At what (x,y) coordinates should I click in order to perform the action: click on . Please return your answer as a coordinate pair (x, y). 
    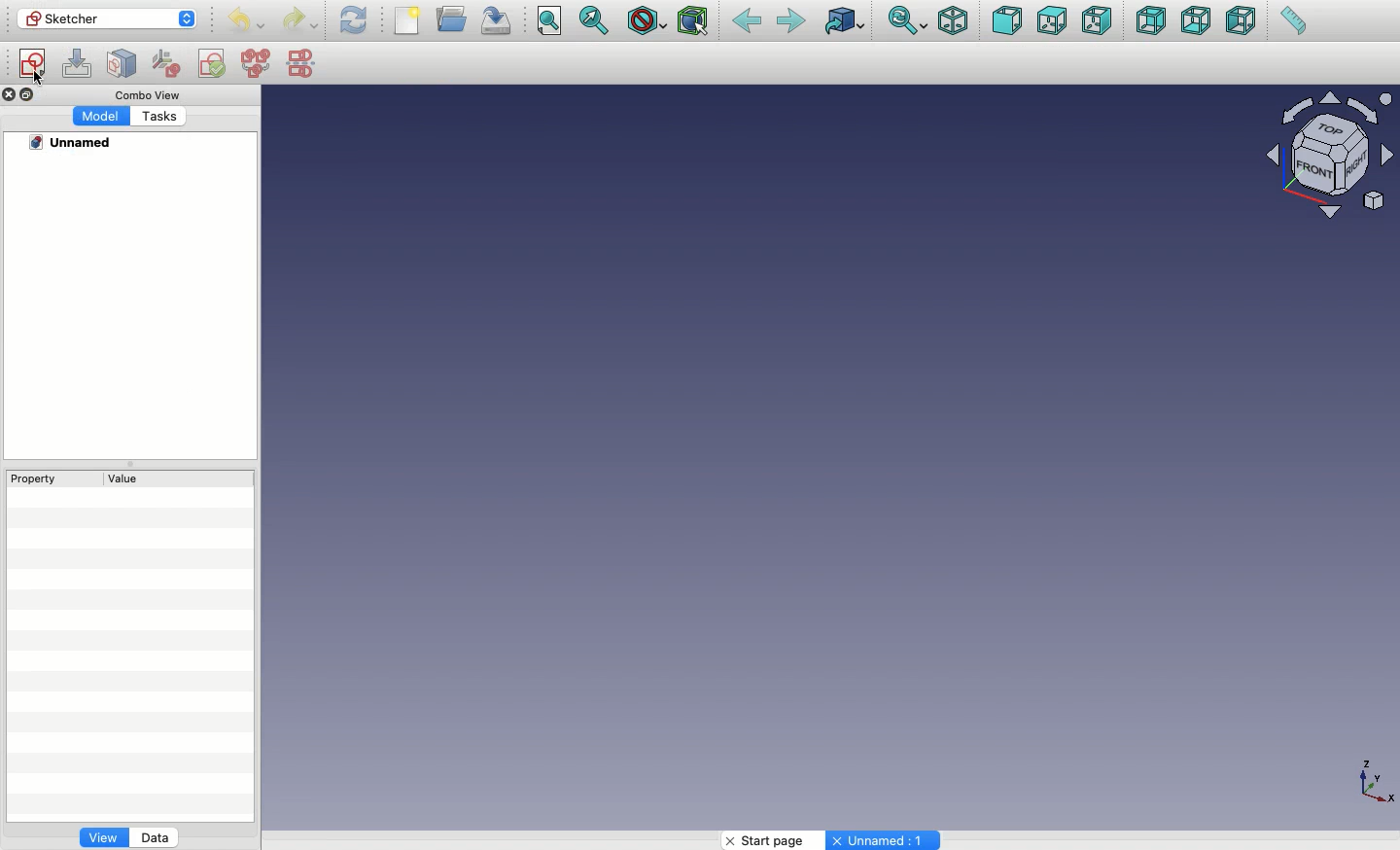
    Looking at the image, I should click on (886, 840).